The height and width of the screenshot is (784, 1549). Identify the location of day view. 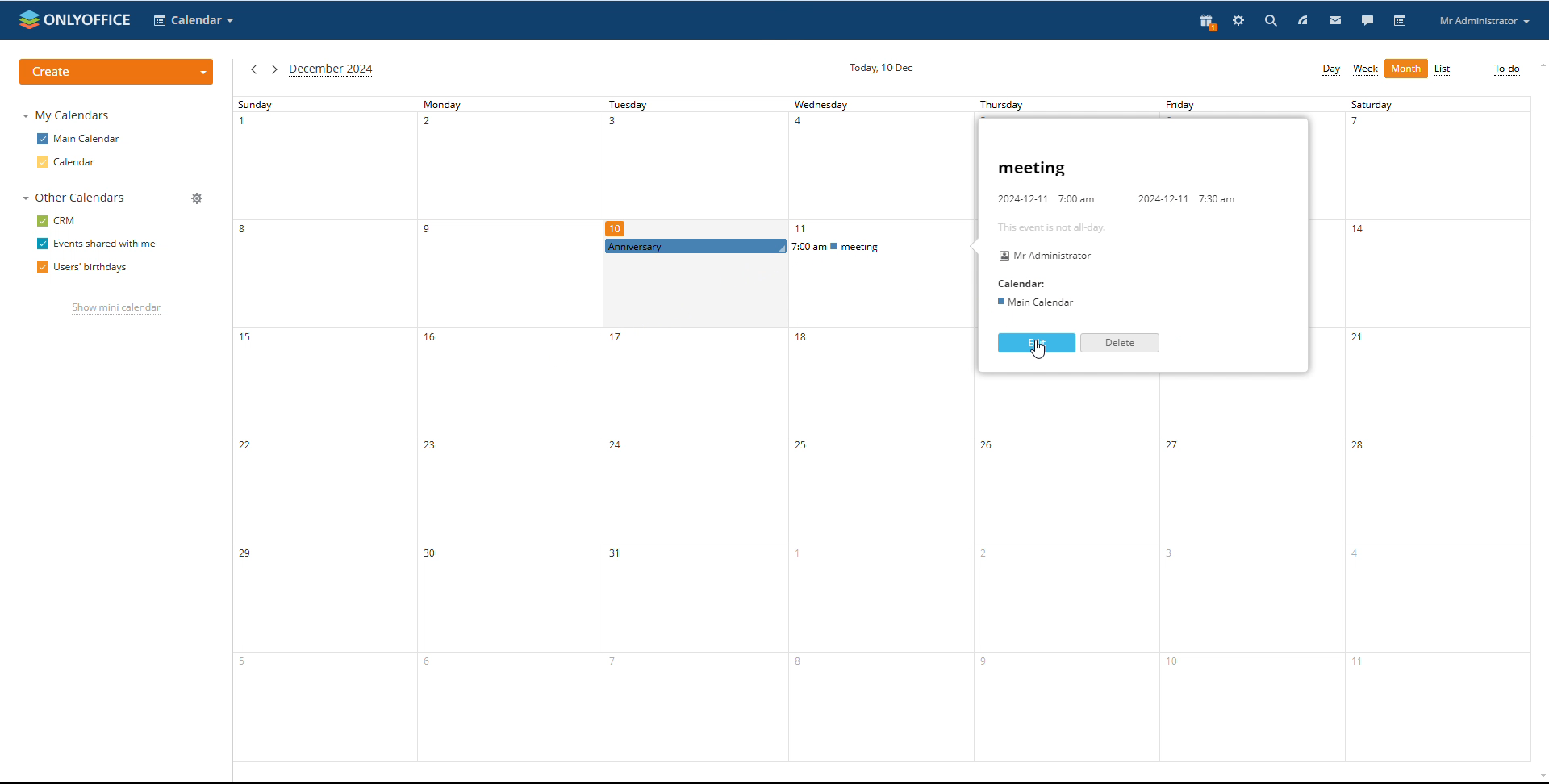
(1331, 69).